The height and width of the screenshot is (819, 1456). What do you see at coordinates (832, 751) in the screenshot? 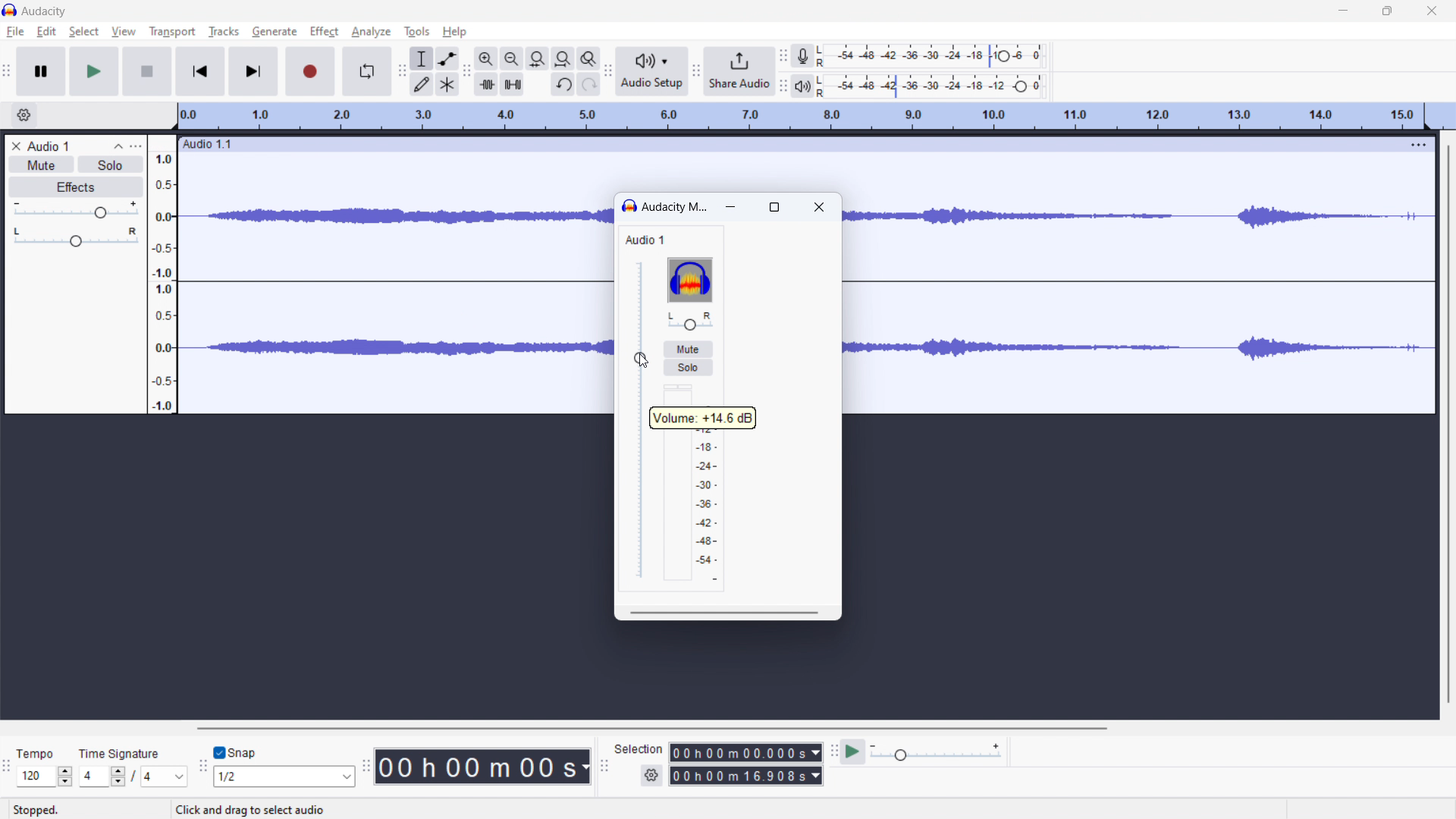
I see `play at speed toolbar` at bounding box center [832, 751].